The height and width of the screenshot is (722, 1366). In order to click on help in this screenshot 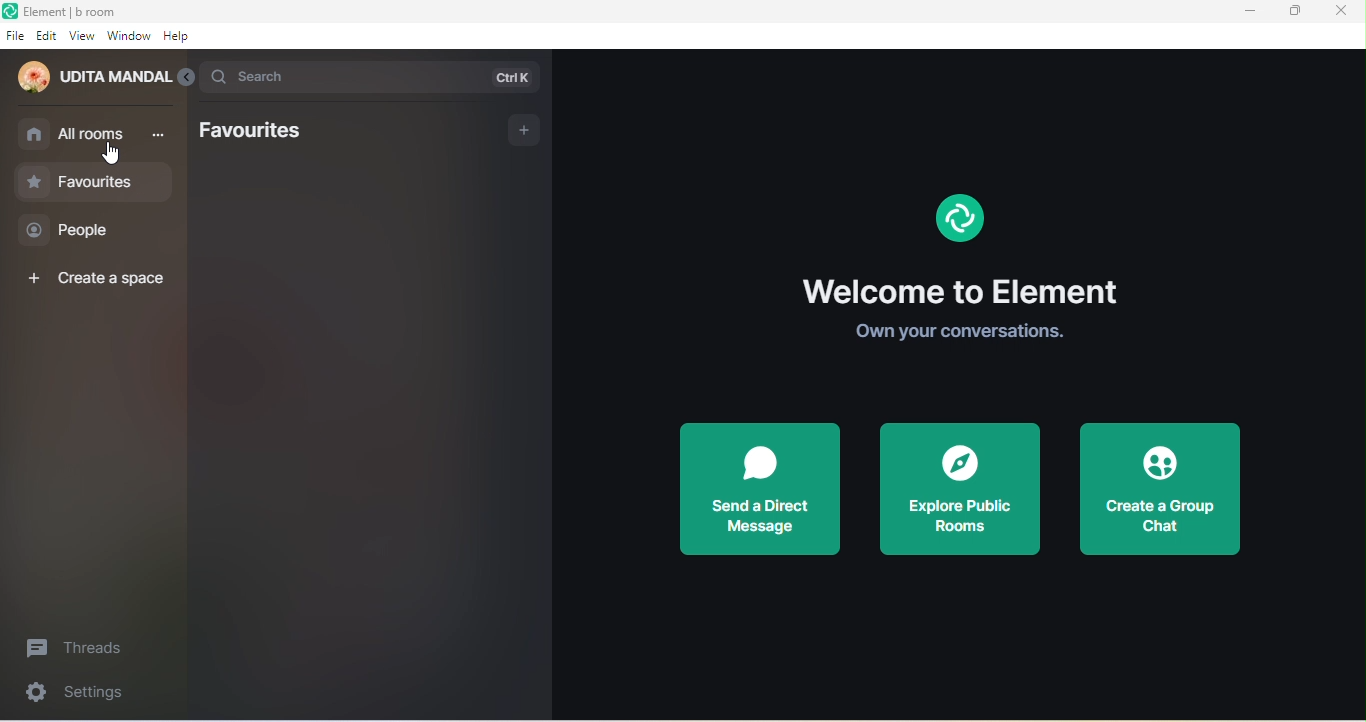, I will do `click(184, 39)`.